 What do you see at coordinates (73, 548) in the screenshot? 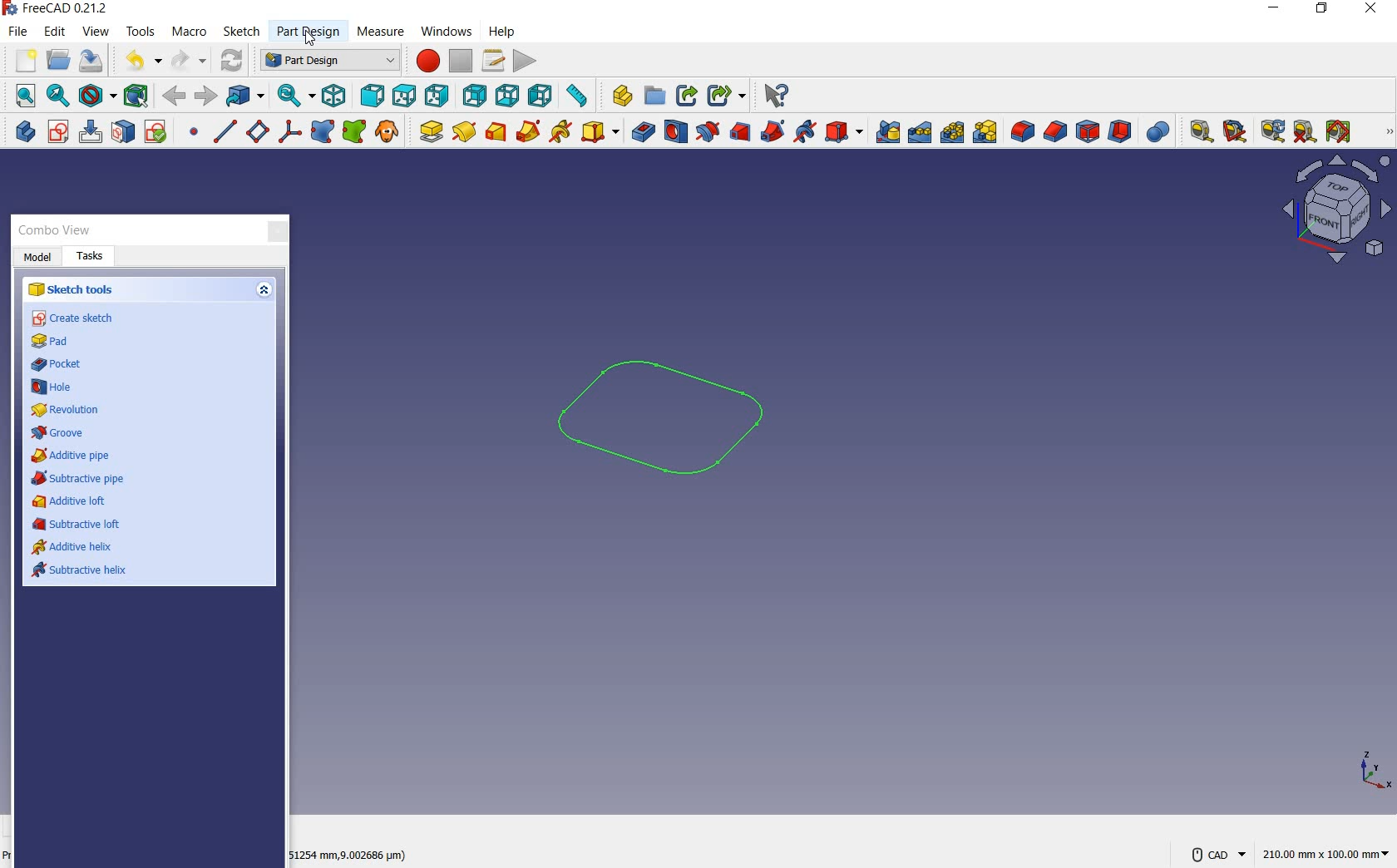
I see `additive helix` at bounding box center [73, 548].